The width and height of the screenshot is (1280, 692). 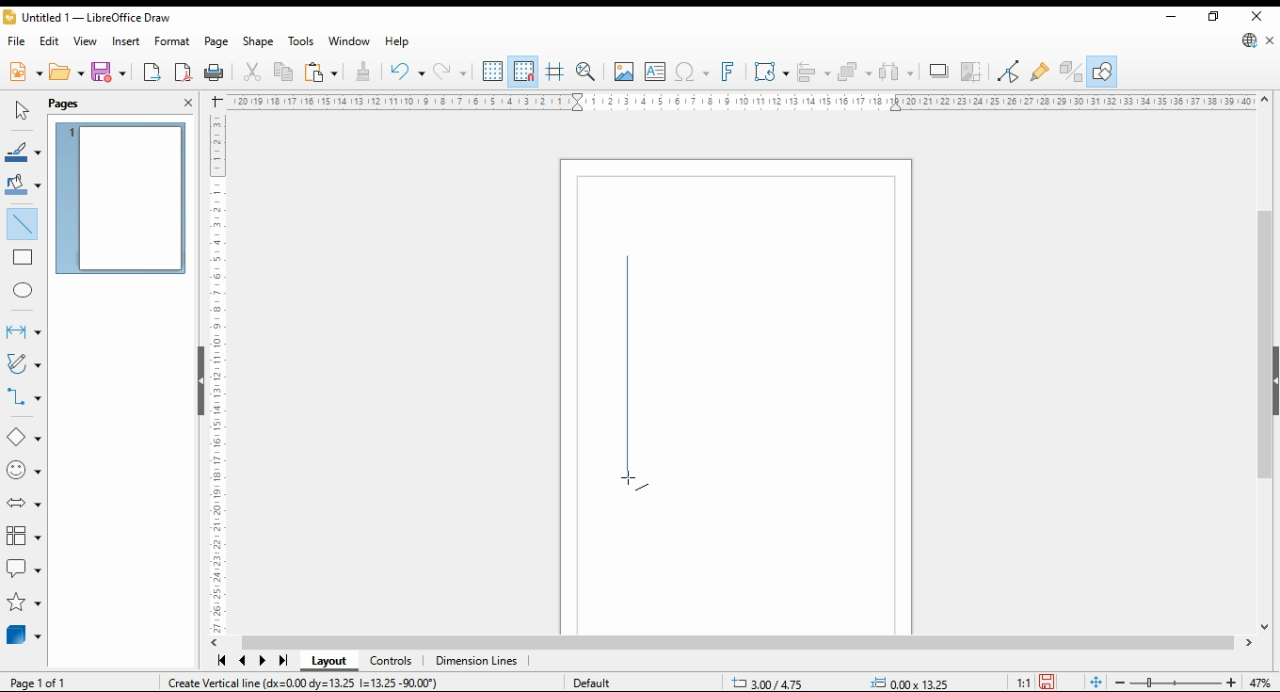 What do you see at coordinates (1053, 681) in the screenshot?
I see `save` at bounding box center [1053, 681].